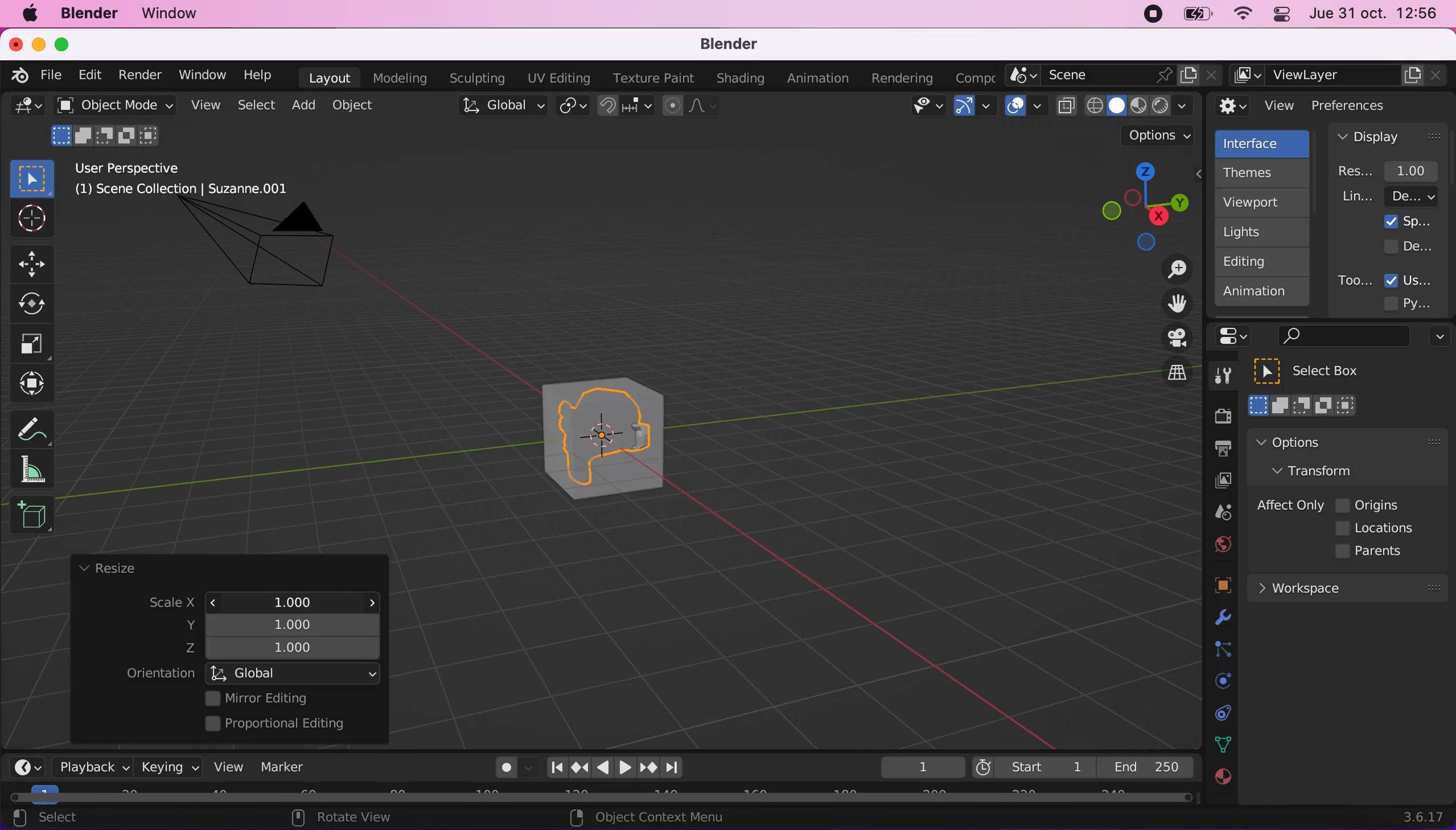  Describe the element at coordinates (32, 516) in the screenshot. I see `add cube` at that location.